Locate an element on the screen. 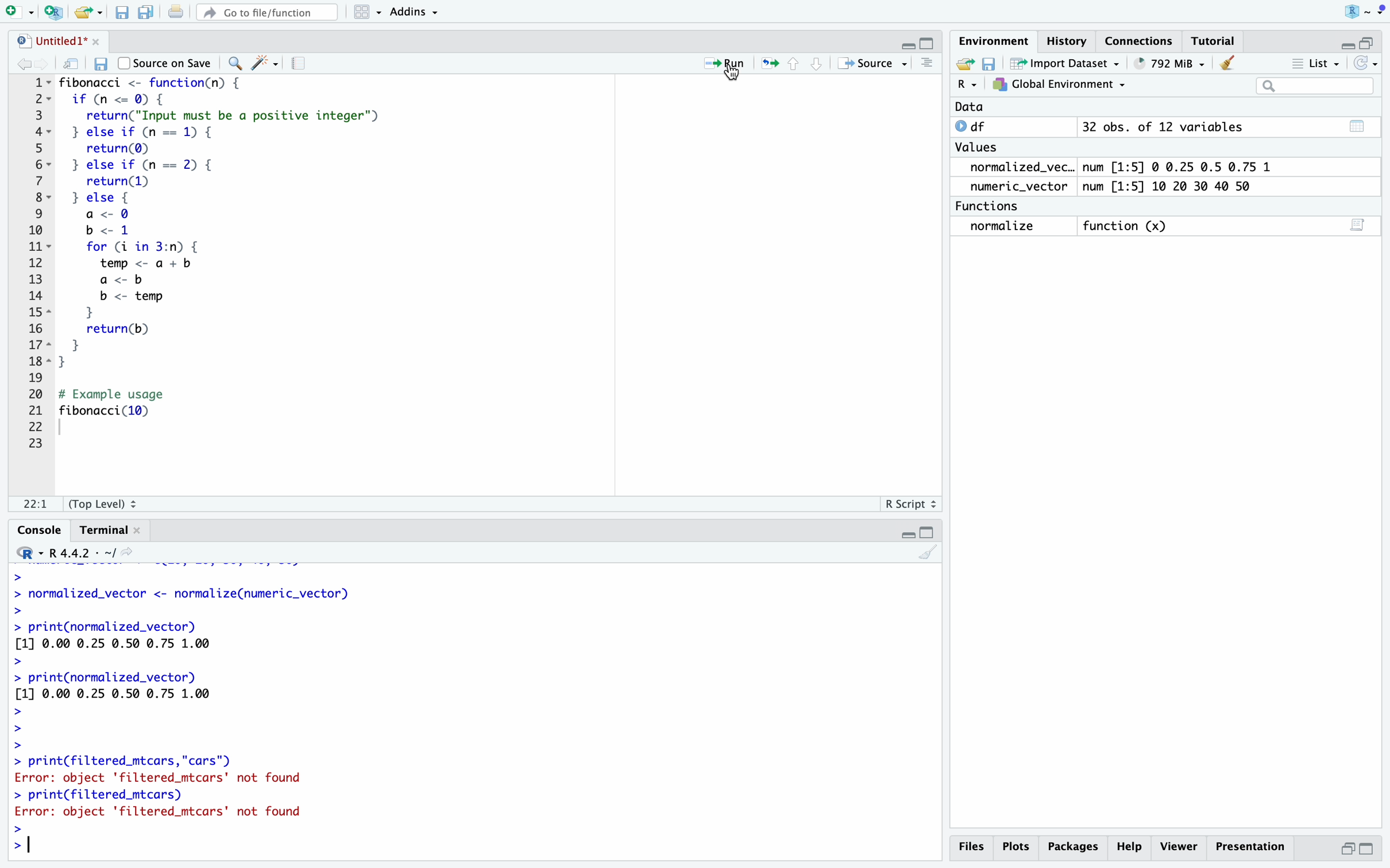 The image size is (1390, 868). num [1:5] 0 0.25 0.5 0.75 1 is located at coordinates (1175, 165).